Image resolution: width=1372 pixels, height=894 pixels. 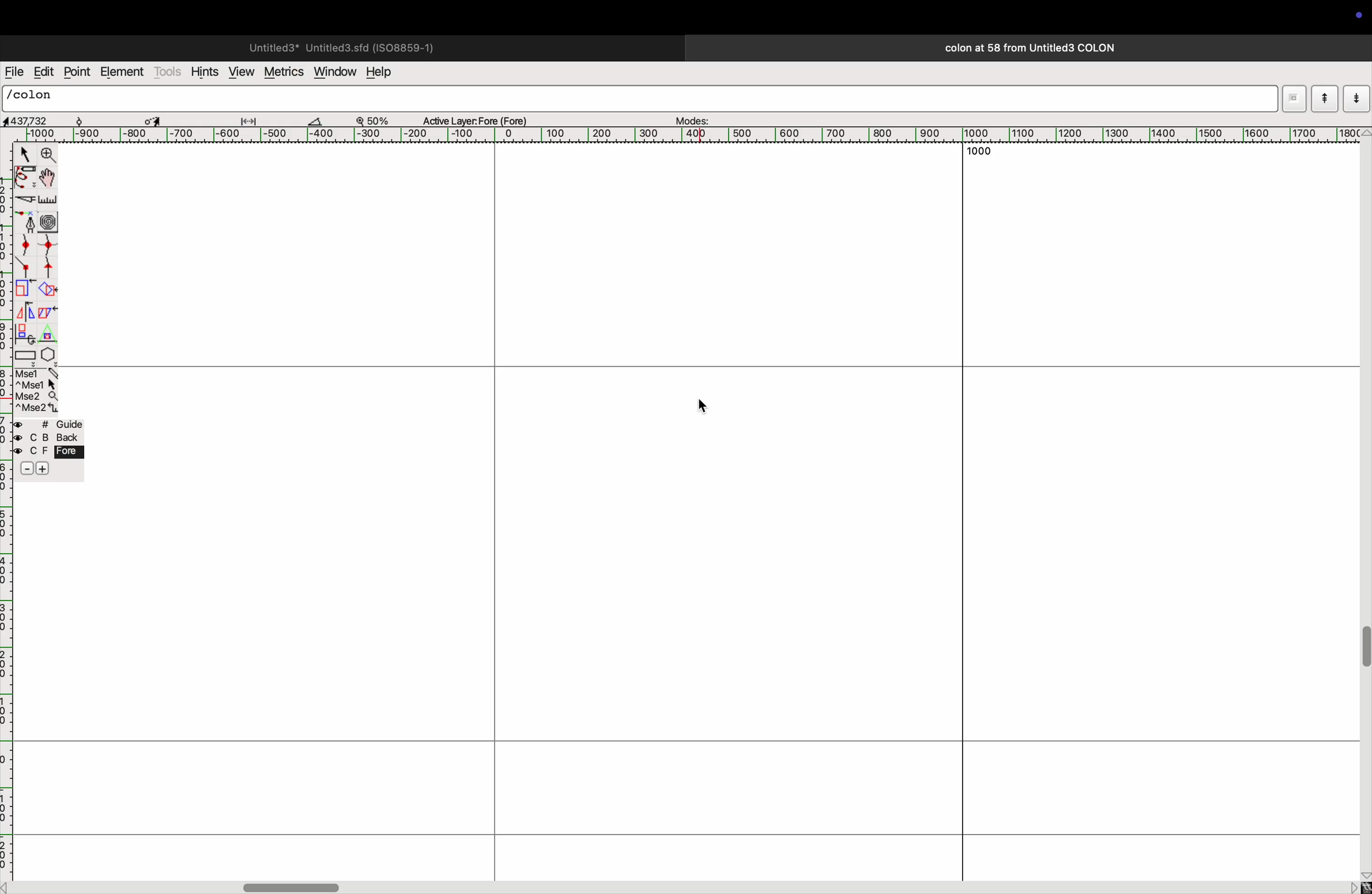 I want to click on pen, so click(x=25, y=179).